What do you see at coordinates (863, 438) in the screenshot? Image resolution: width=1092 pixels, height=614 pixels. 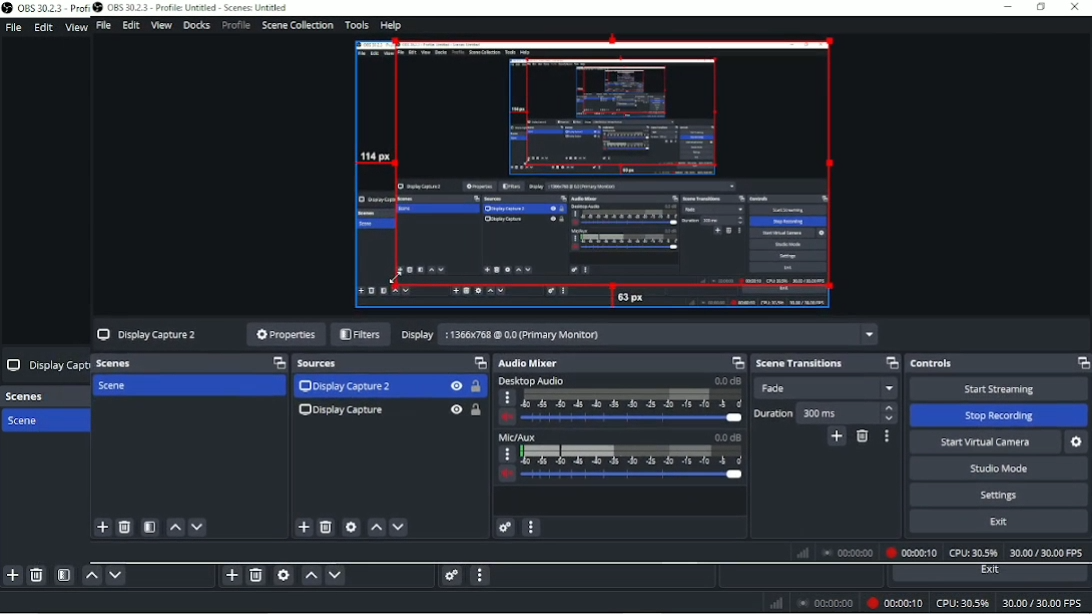 I see `Remove cofigurable transition` at bounding box center [863, 438].